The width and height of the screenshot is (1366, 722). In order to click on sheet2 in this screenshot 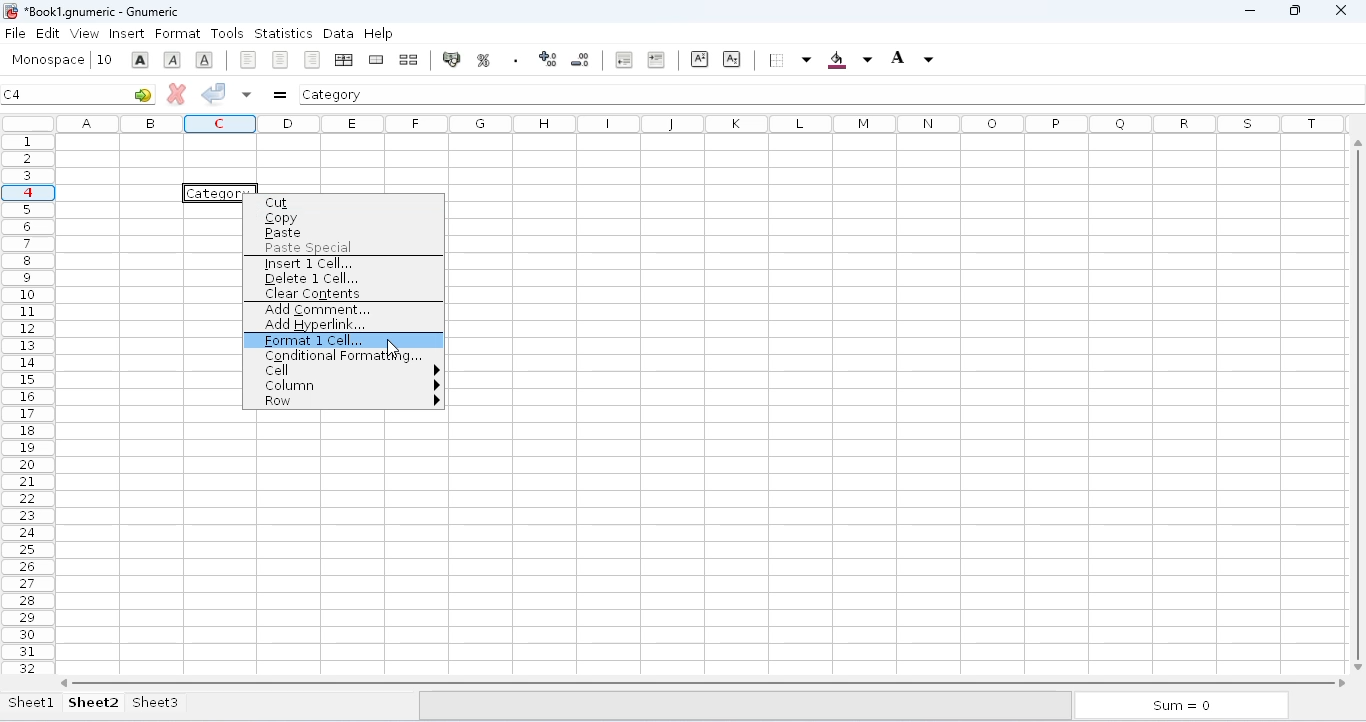, I will do `click(94, 702)`.